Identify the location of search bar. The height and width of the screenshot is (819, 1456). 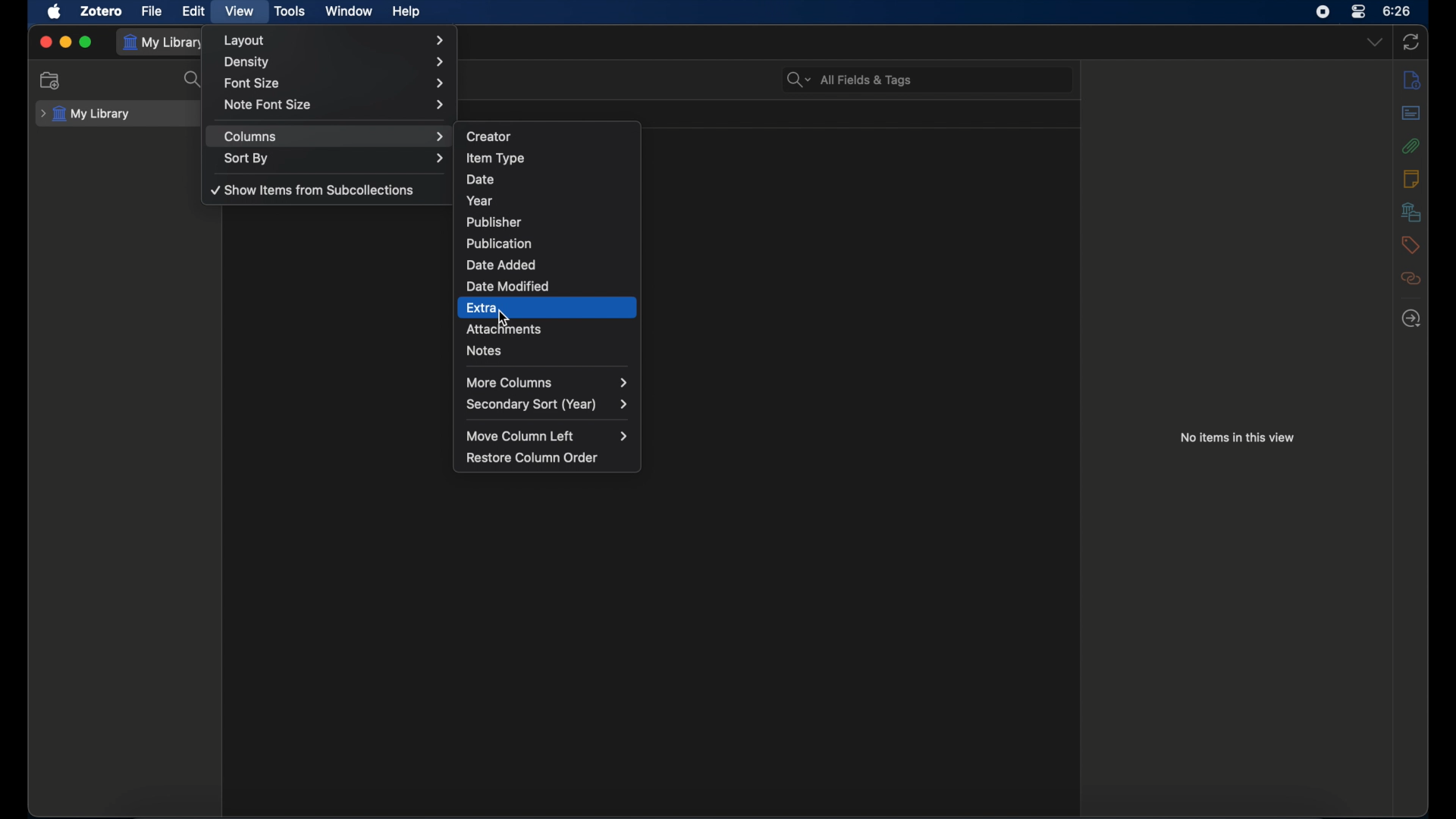
(848, 80).